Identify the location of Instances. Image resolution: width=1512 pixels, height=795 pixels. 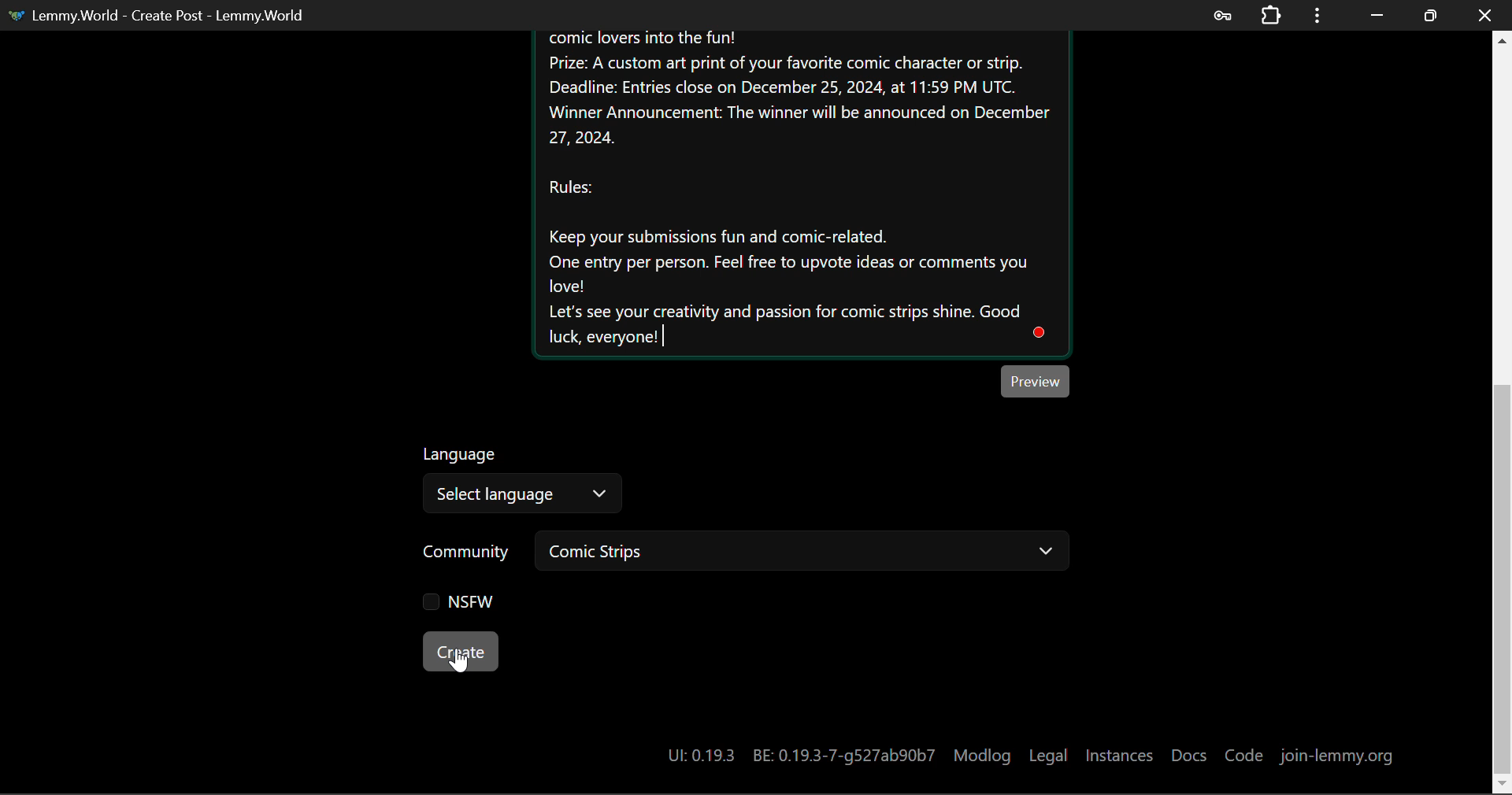
(1119, 756).